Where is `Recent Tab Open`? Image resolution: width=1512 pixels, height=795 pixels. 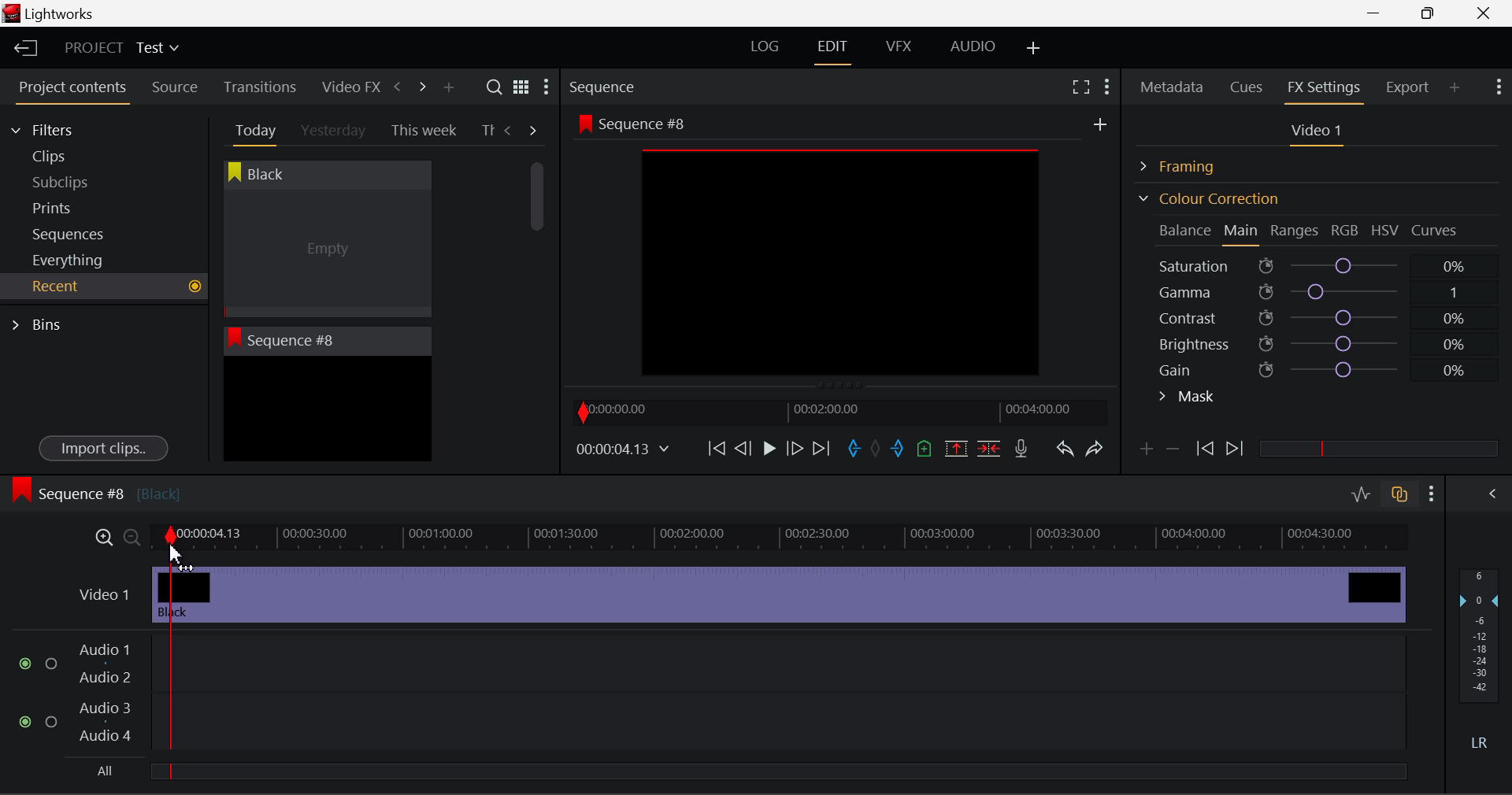
Recent Tab Open is located at coordinates (104, 287).